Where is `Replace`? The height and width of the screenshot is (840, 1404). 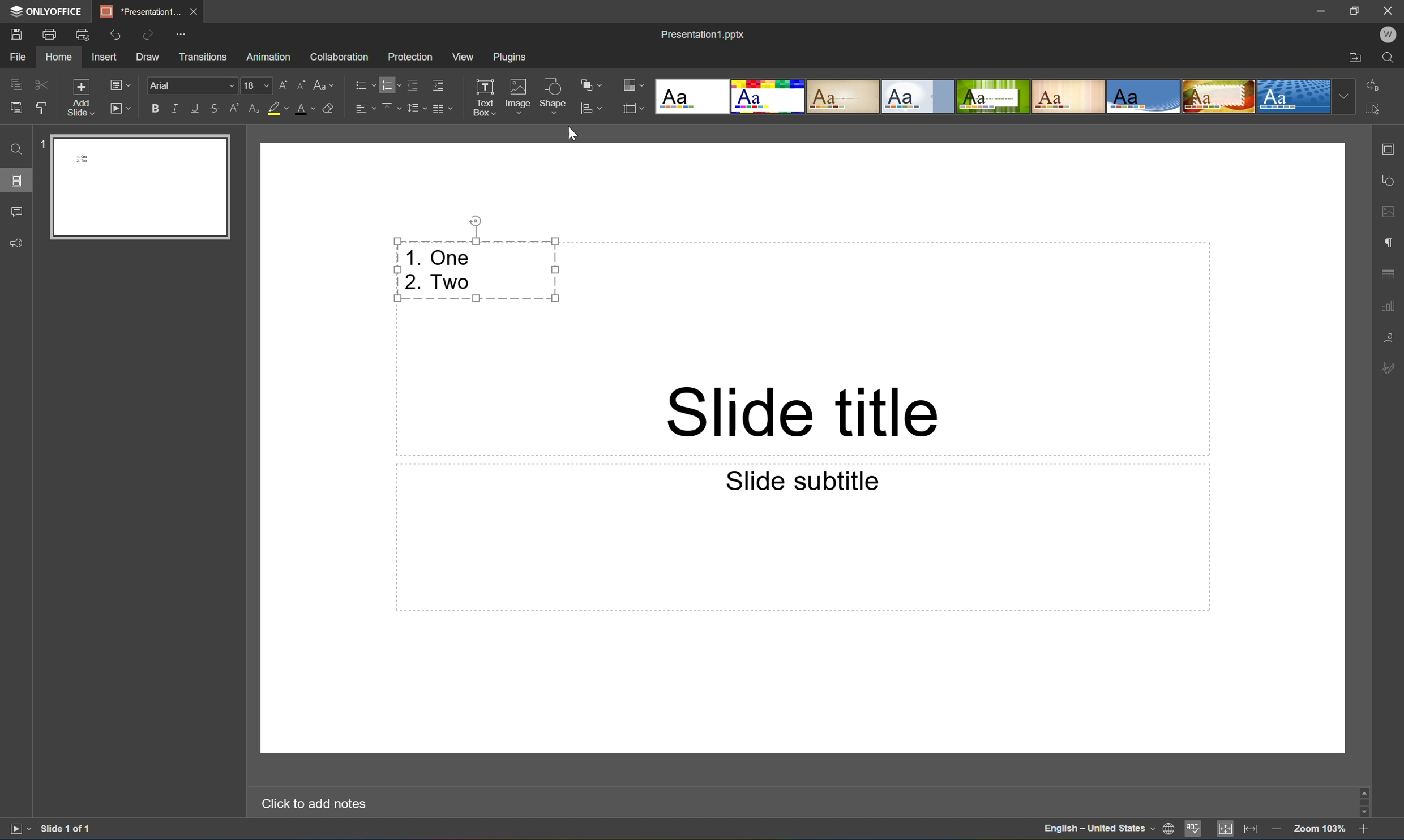
Replace is located at coordinates (1375, 84).